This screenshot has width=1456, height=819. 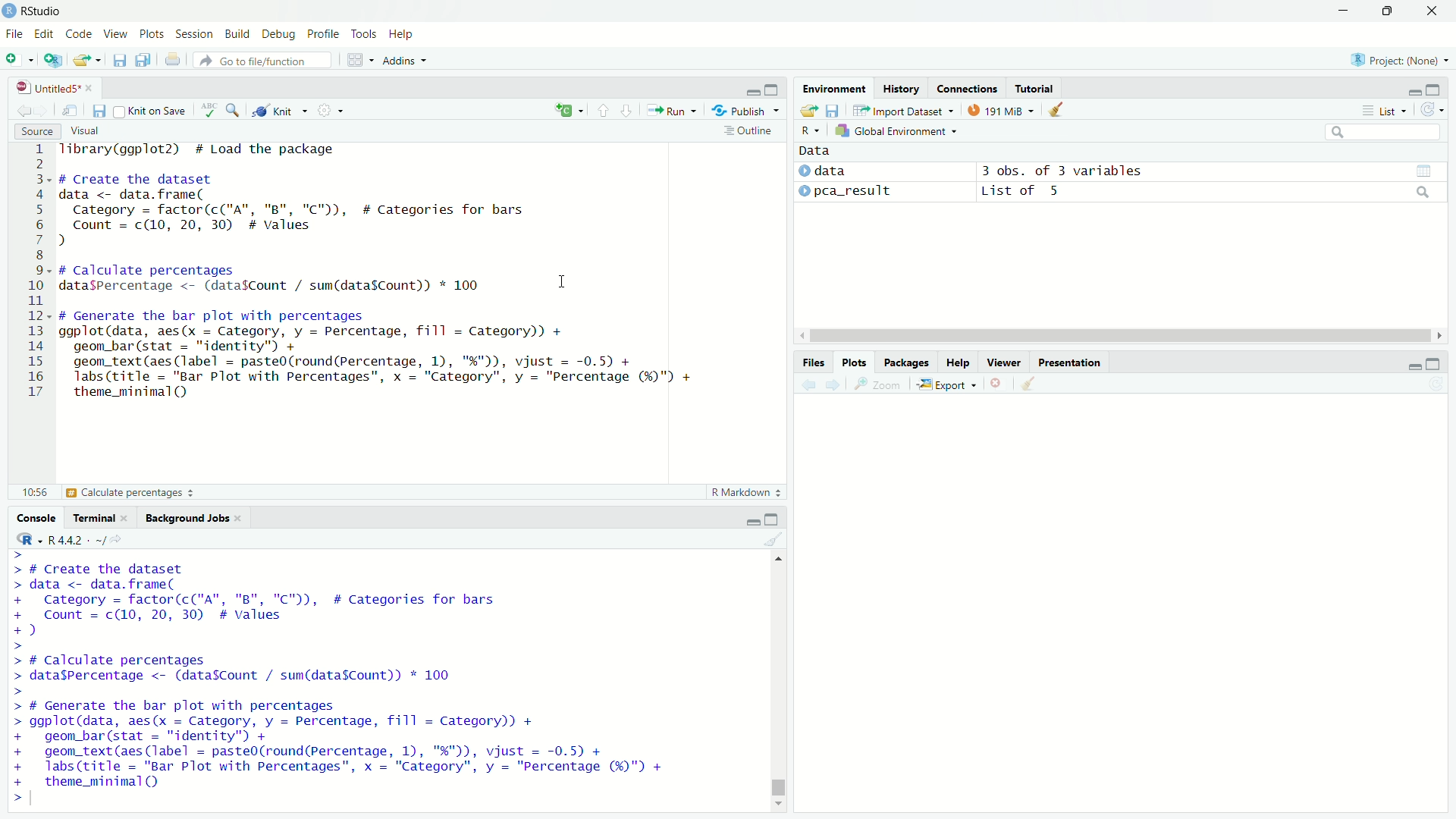 What do you see at coordinates (241, 36) in the screenshot?
I see `build` at bounding box center [241, 36].